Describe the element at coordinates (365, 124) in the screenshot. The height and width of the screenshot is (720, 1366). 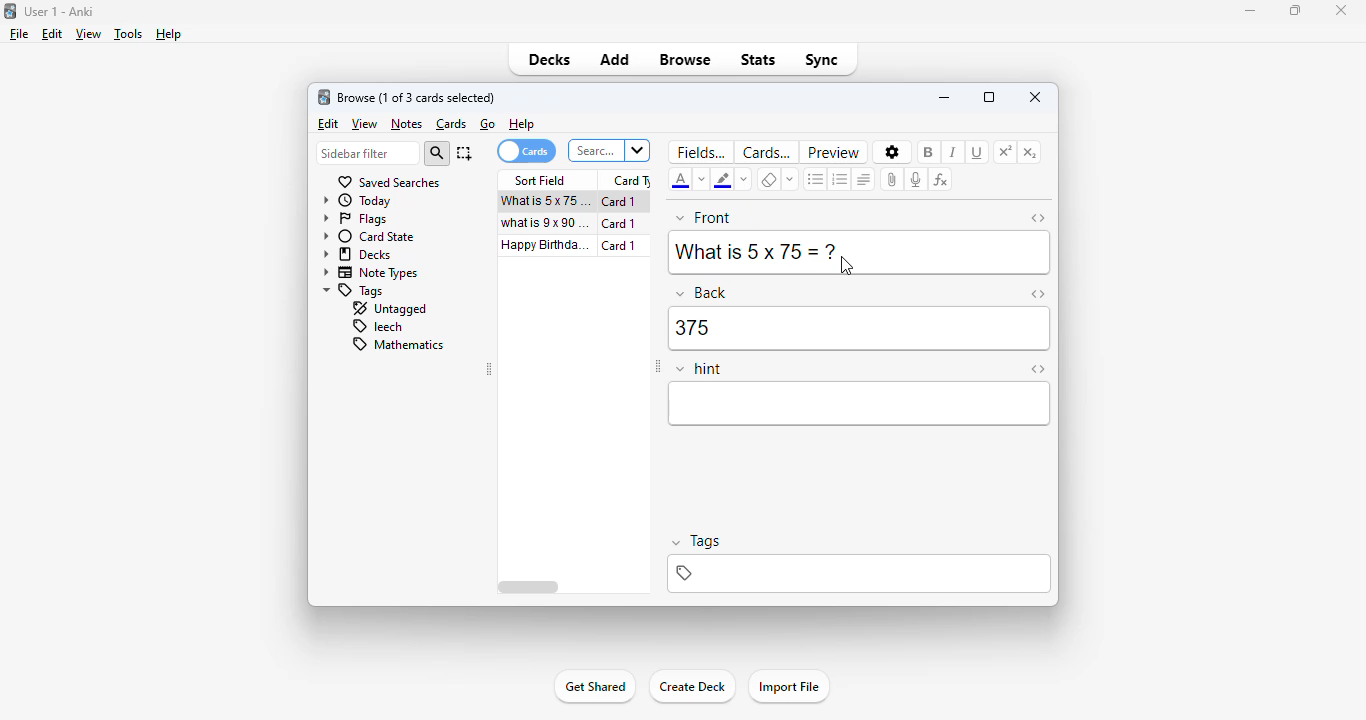
I see `view` at that location.